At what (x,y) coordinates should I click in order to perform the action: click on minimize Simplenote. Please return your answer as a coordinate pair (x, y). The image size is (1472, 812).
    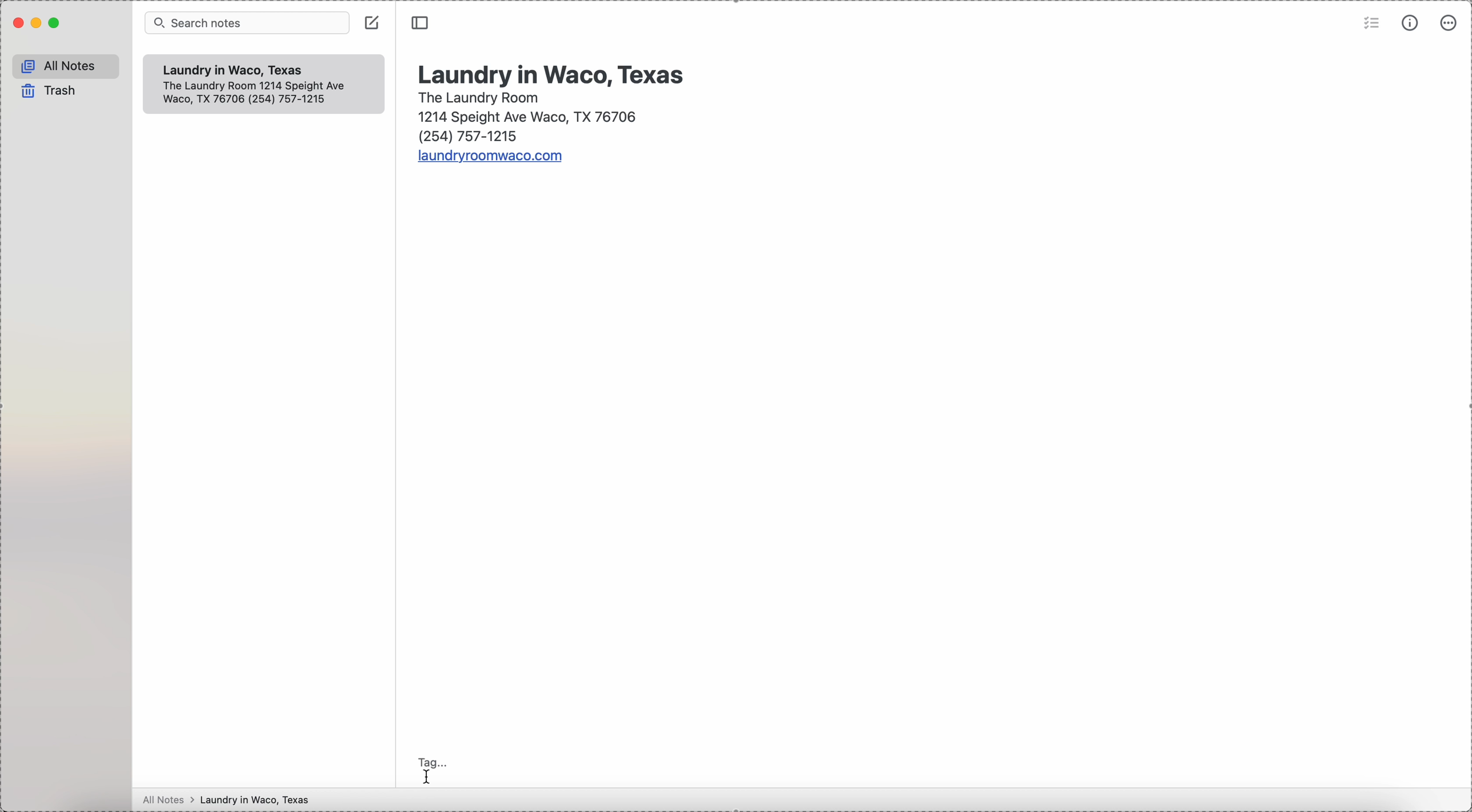
    Looking at the image, I should click on (36, 25).